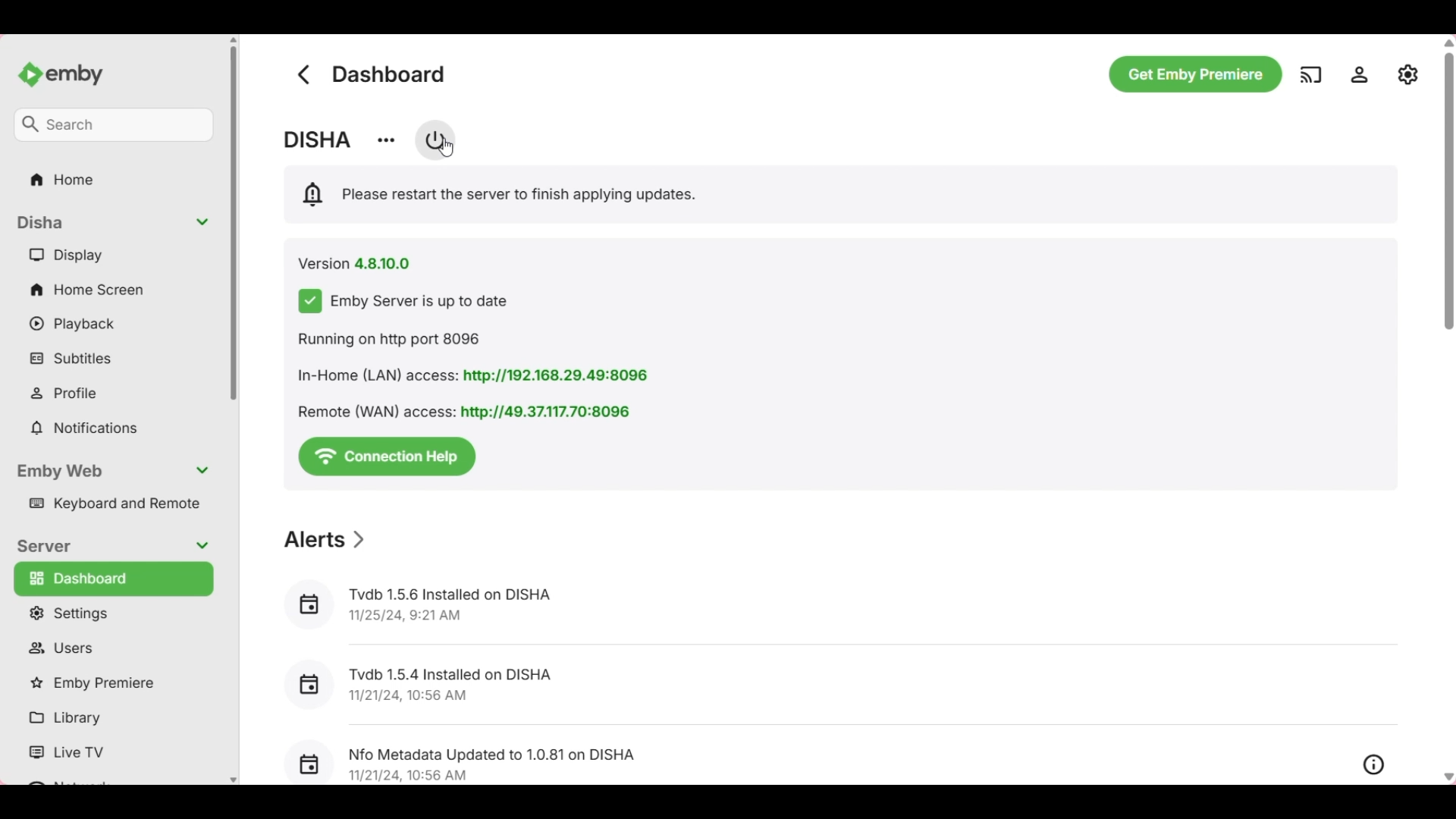 Image resolution: width=1456 pixels, height=819 pixels. What do you see at coordinates (234, 224) in the screenshot?
I see `Vertical slide bar for left panel` at bounding box center [234, 224].